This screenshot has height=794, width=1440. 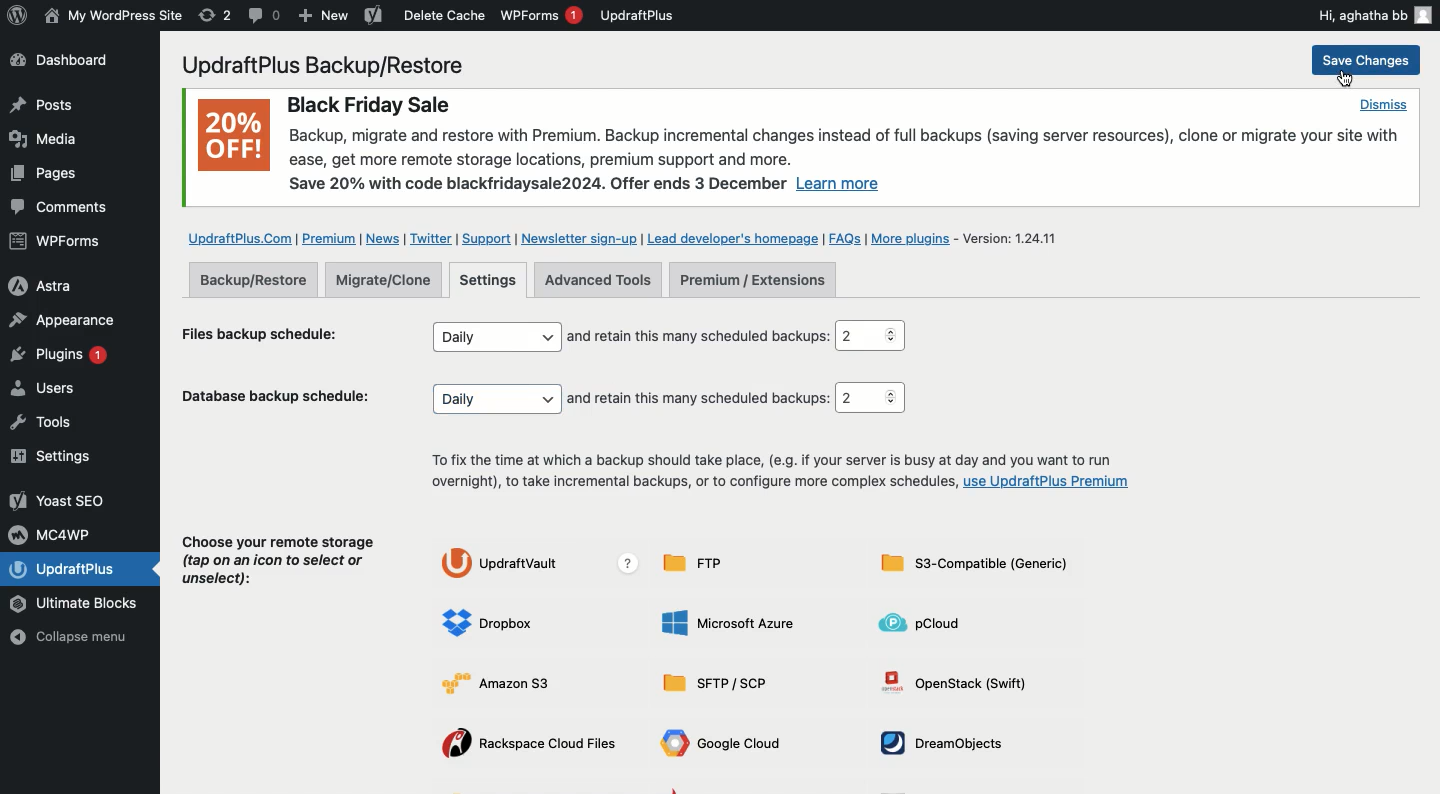 I want to click on Cursor, so click(x=1345, y=78).